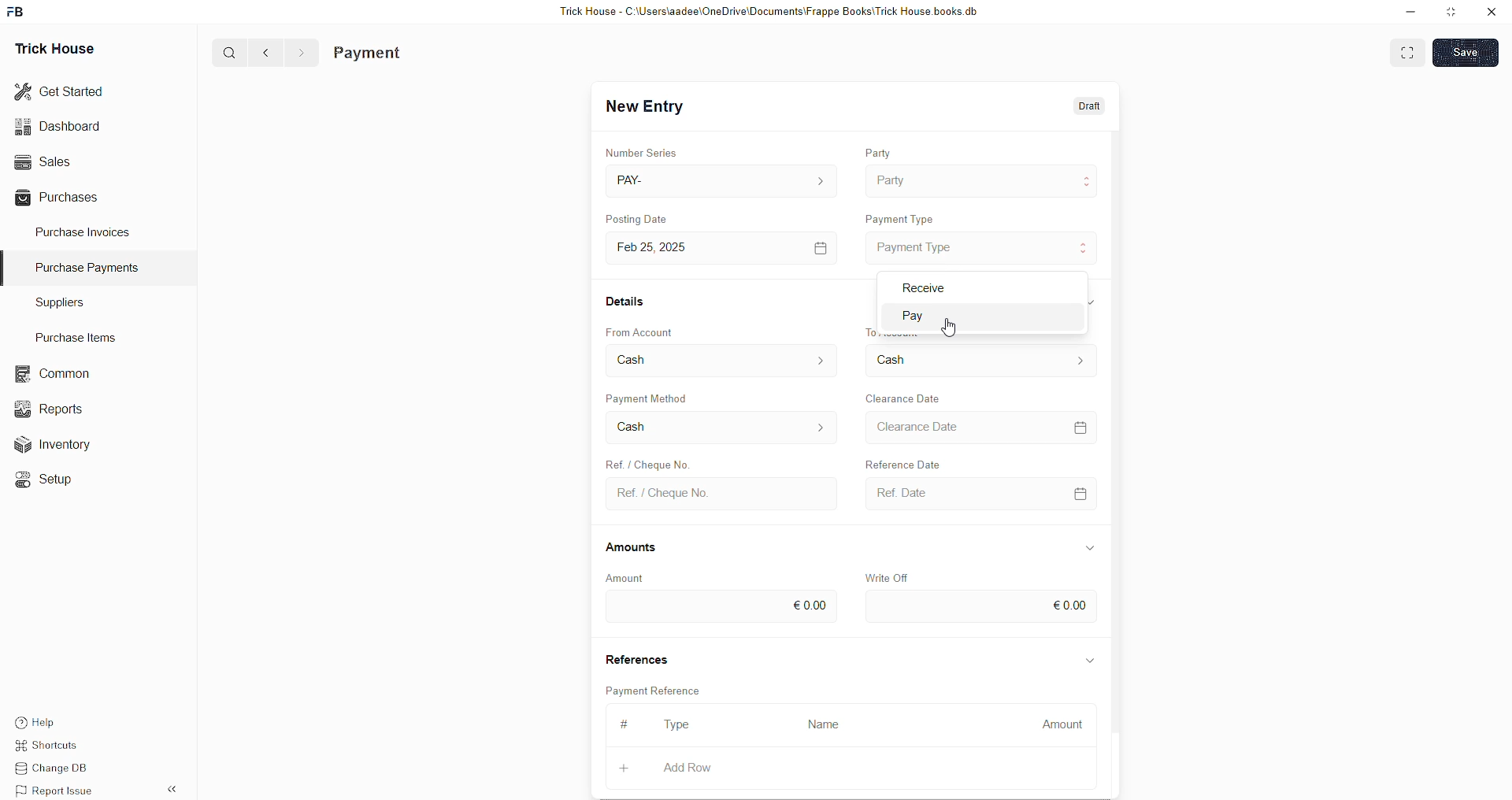 The width and height of the screenshot is (1512, 800). I want to click on Payment Type, so click(905, 216).